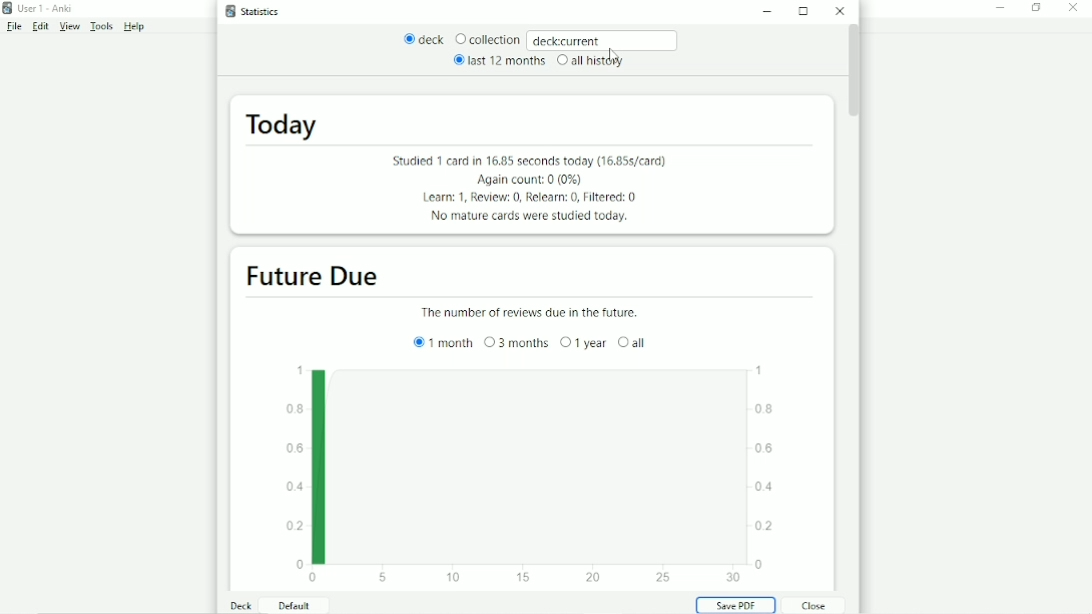 The height and width of the screenshot is (614, 1092). Describe the element at coordinates (520, 188) in the screenshot. I see `Study stats` at that location.